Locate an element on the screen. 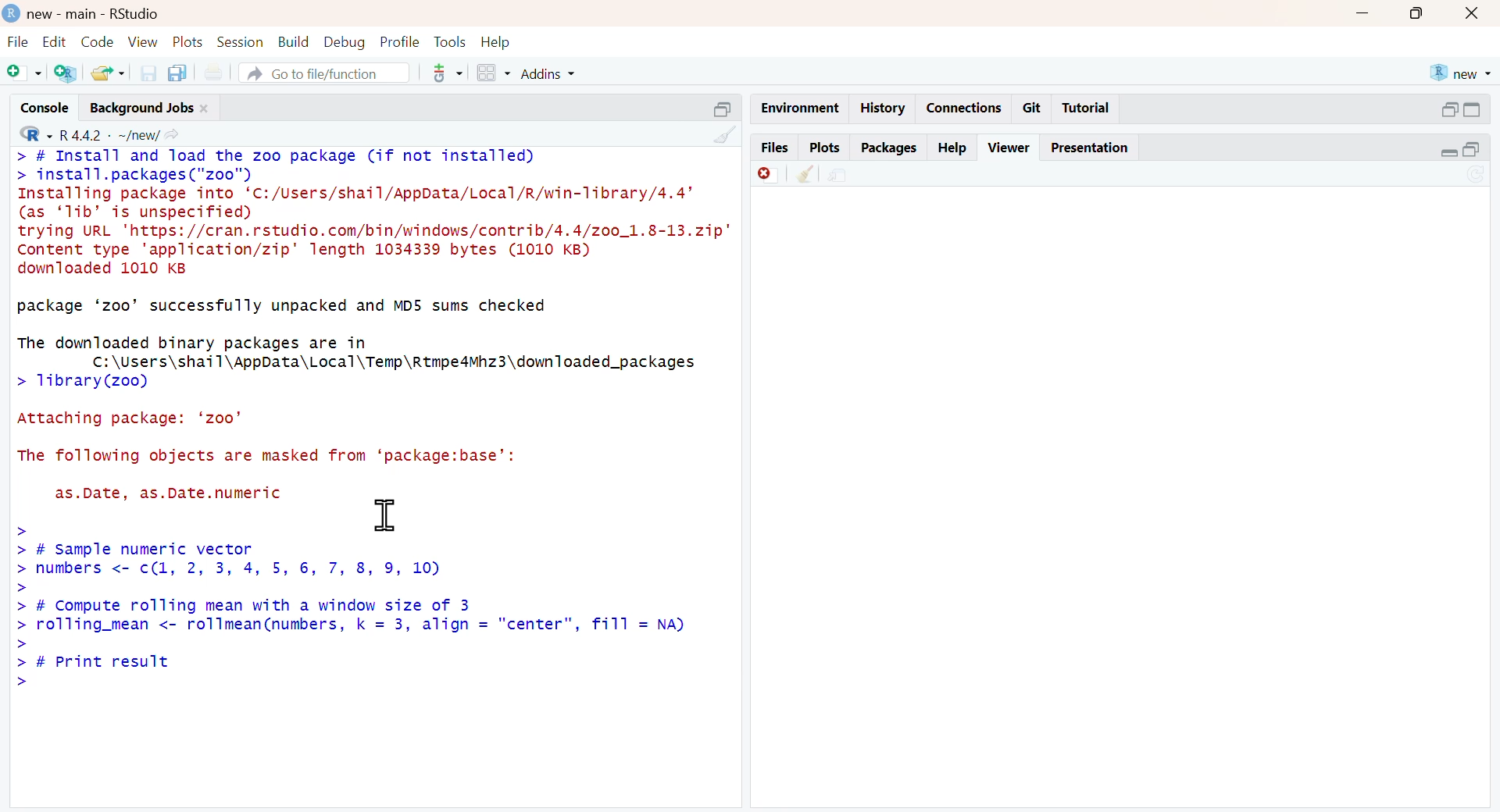 The height and width of the screenshot is (812, 1500). minimise is located at coordinates (1363, 12).